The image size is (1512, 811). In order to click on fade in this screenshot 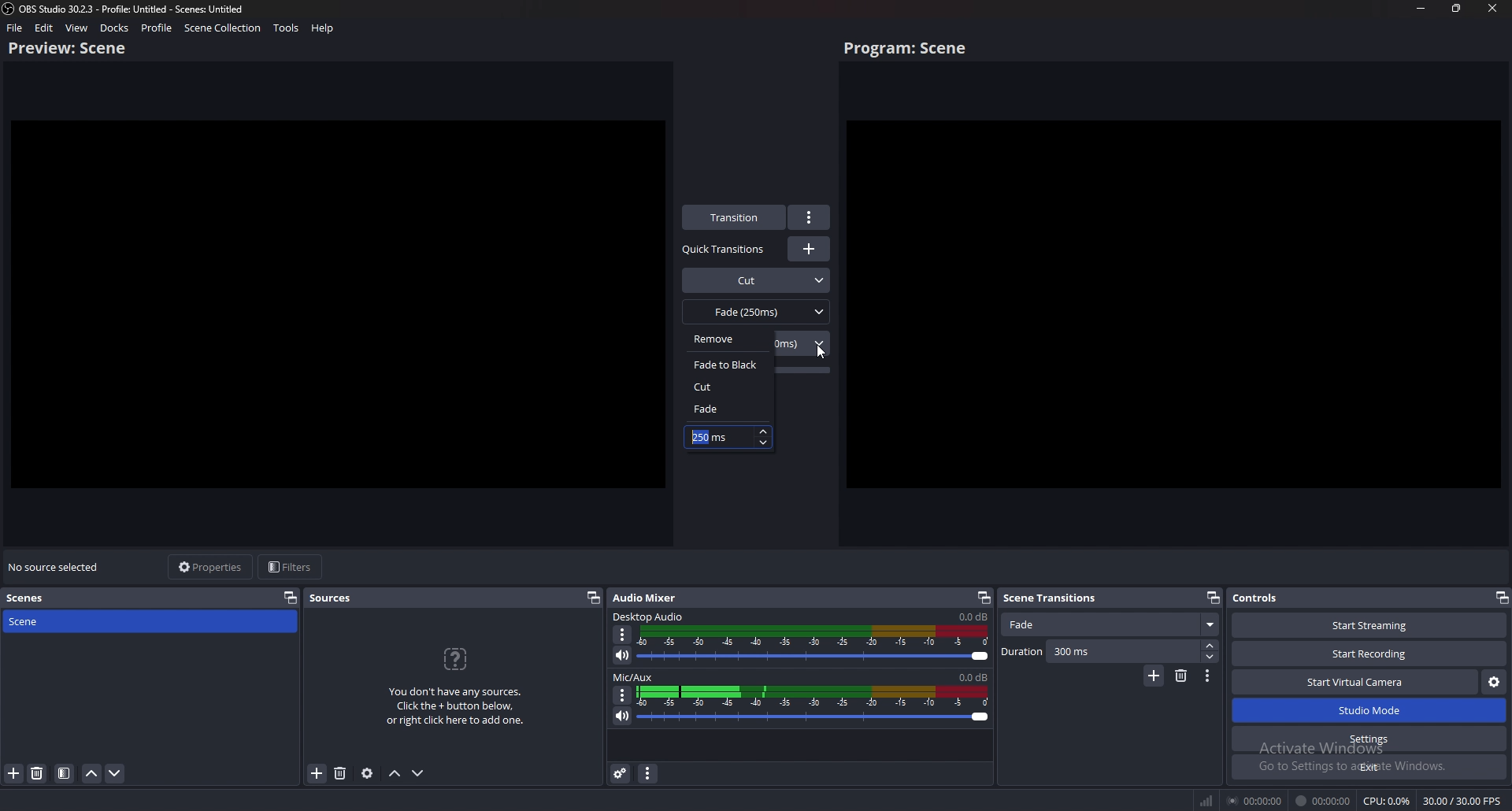, I will do `click(725, 408)`.